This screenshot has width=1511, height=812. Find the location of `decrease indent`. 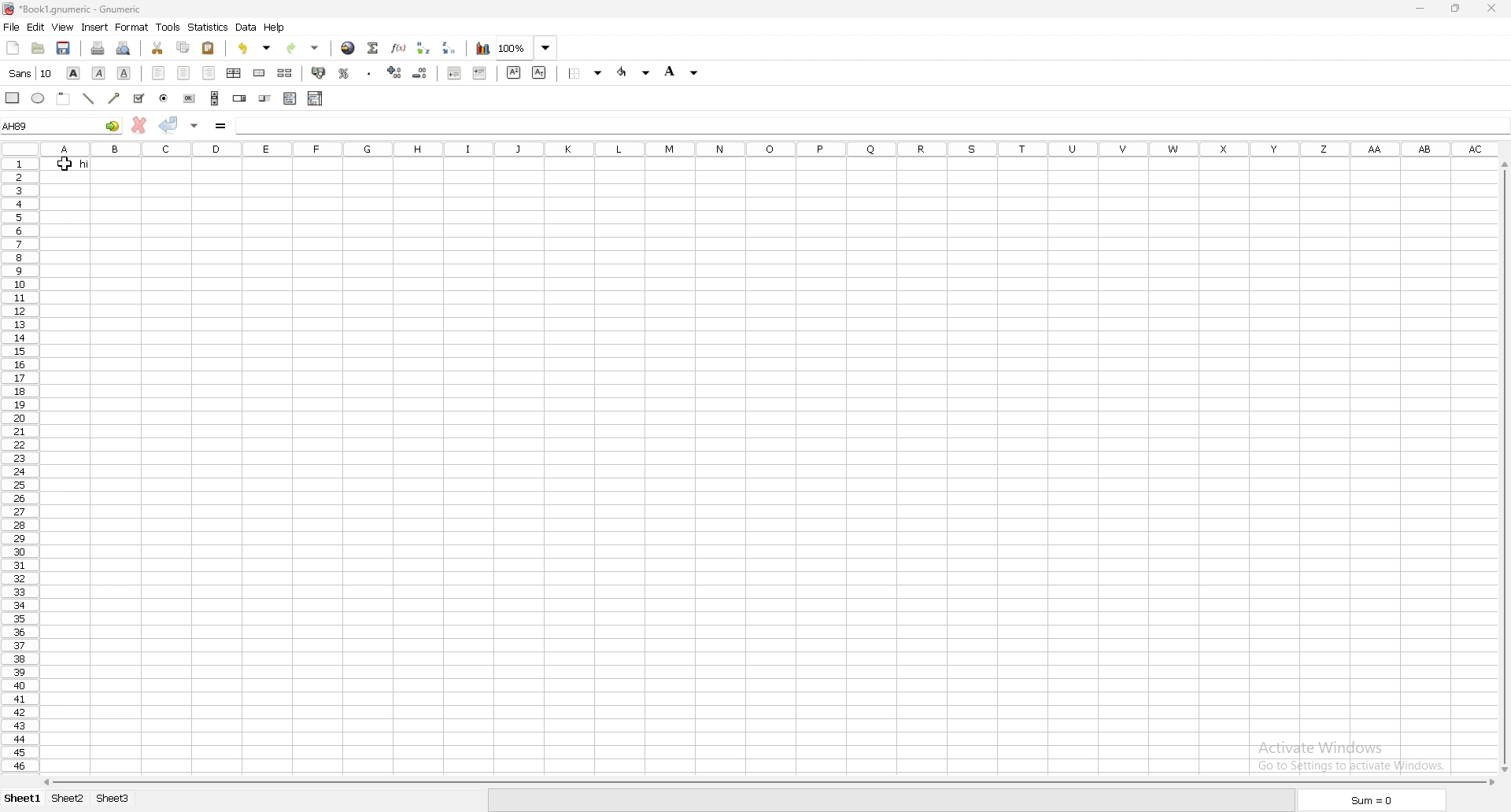

decrease indent is located at coordinates (456, 72).